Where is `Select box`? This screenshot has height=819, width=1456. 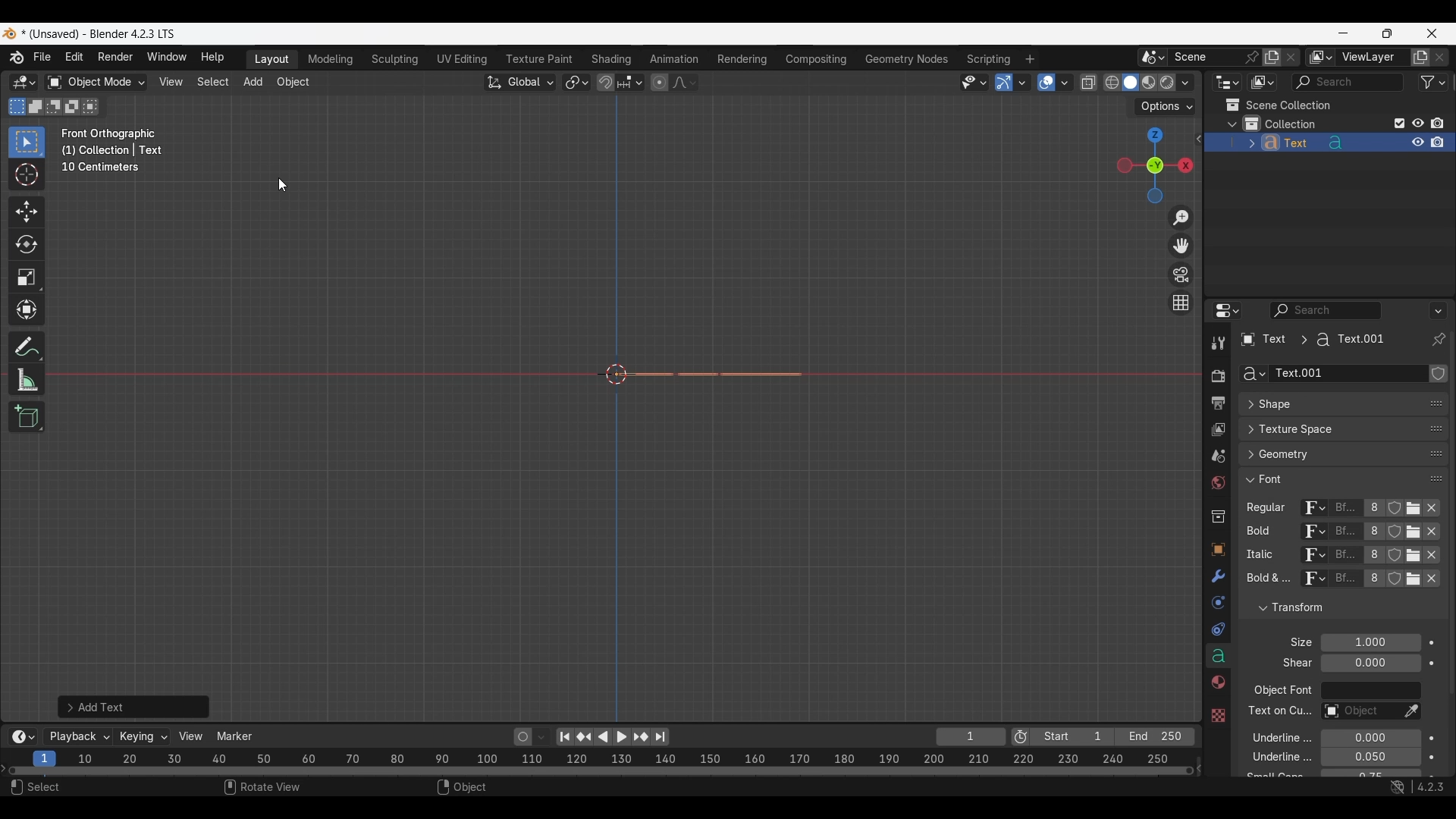 Select box is located at coordinates (27, 142).